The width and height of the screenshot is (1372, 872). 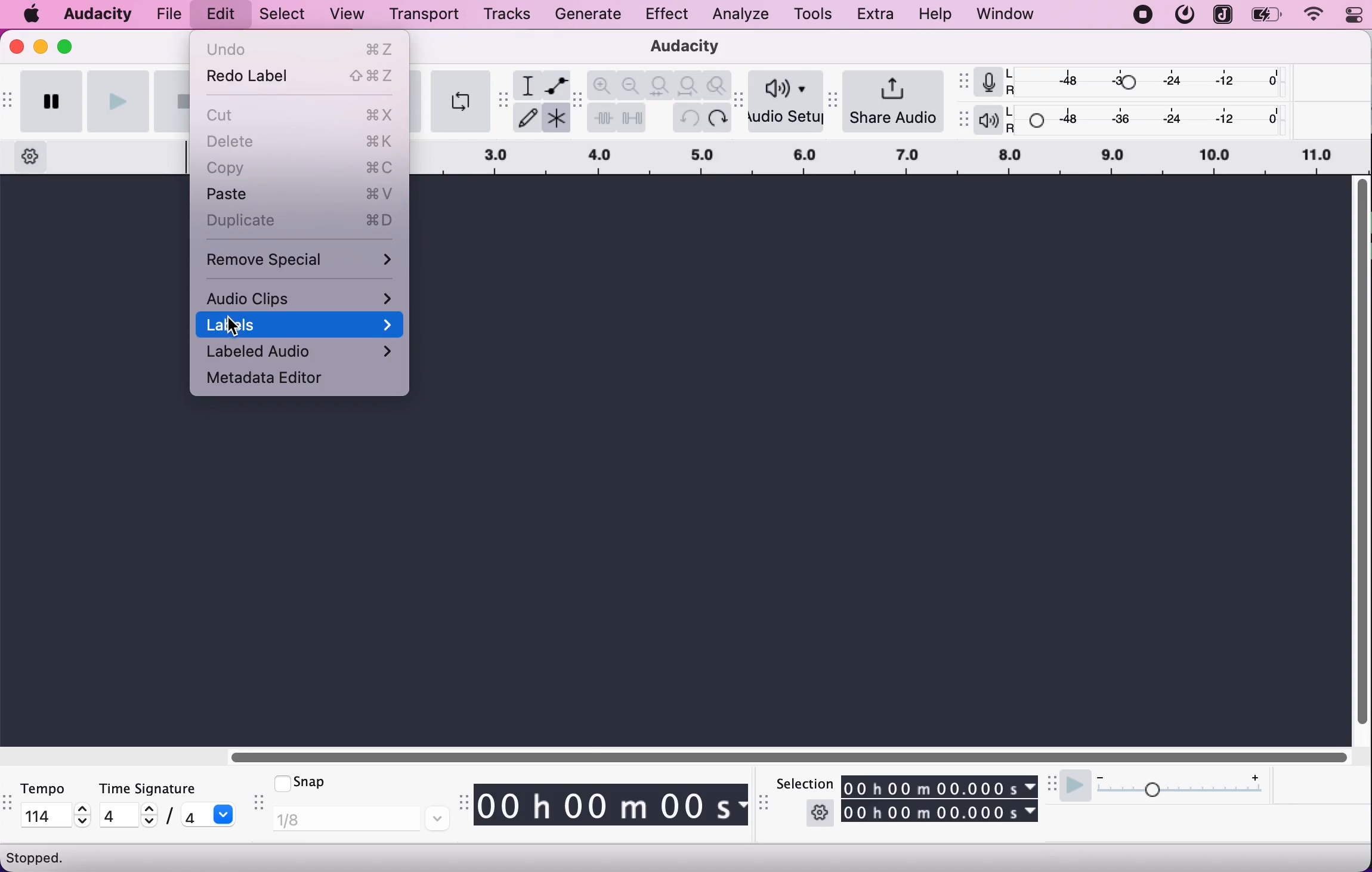 I want to click on audacity tempo toolbar, so click(x=8, y=805).